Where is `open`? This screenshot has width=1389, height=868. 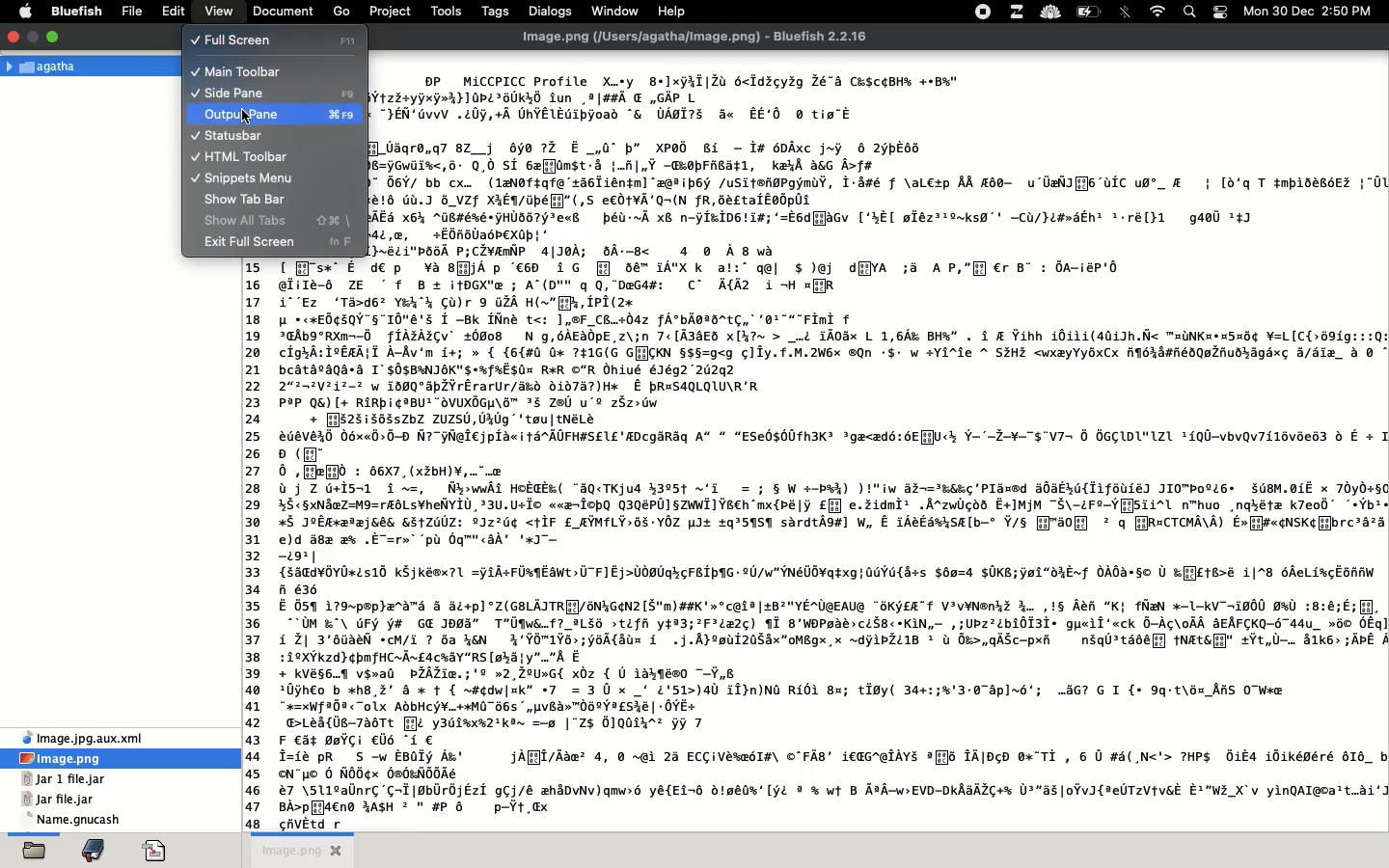
open is located at coordinates (39, 851).